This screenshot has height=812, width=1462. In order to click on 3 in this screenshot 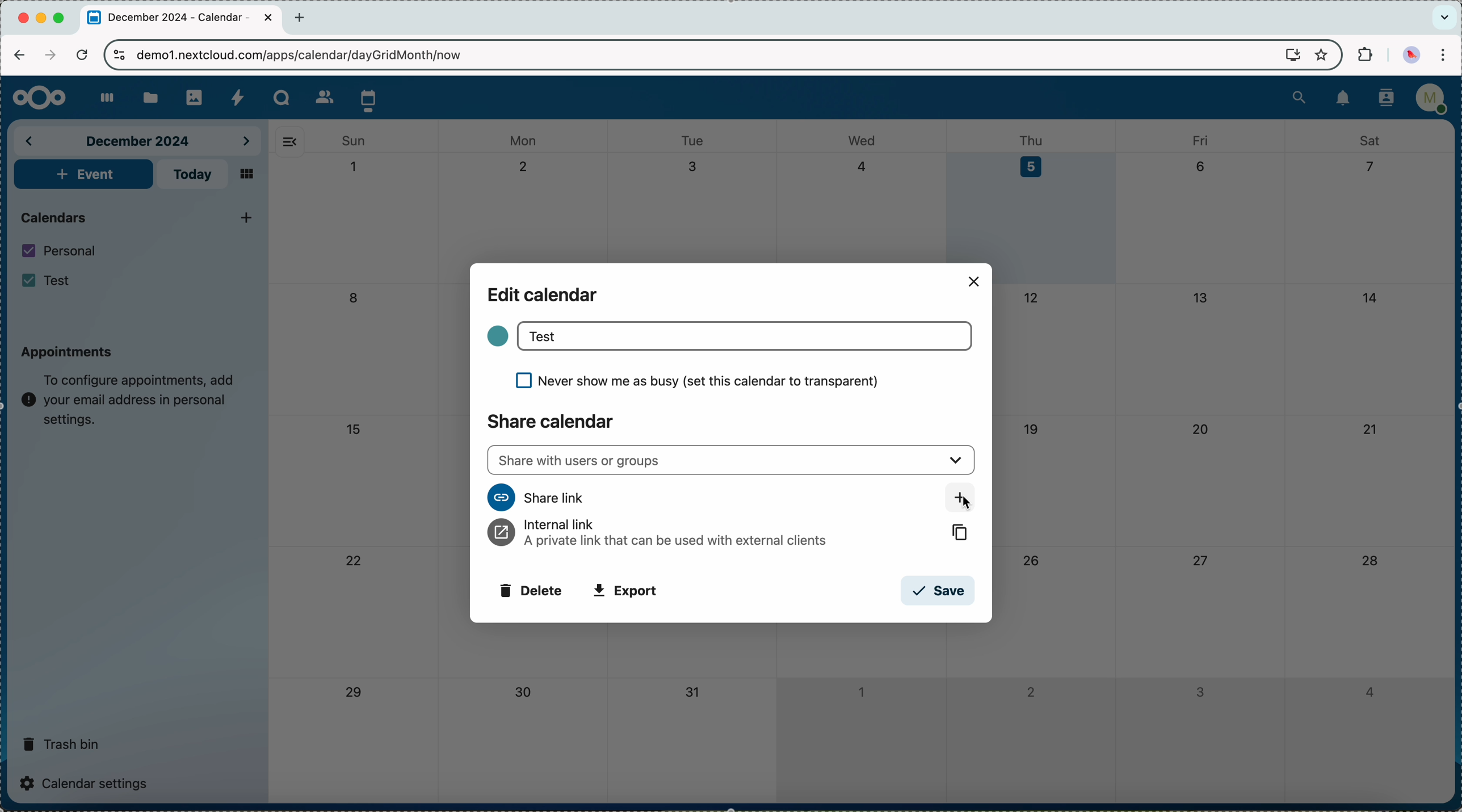, I will do `click(694, 166)`.